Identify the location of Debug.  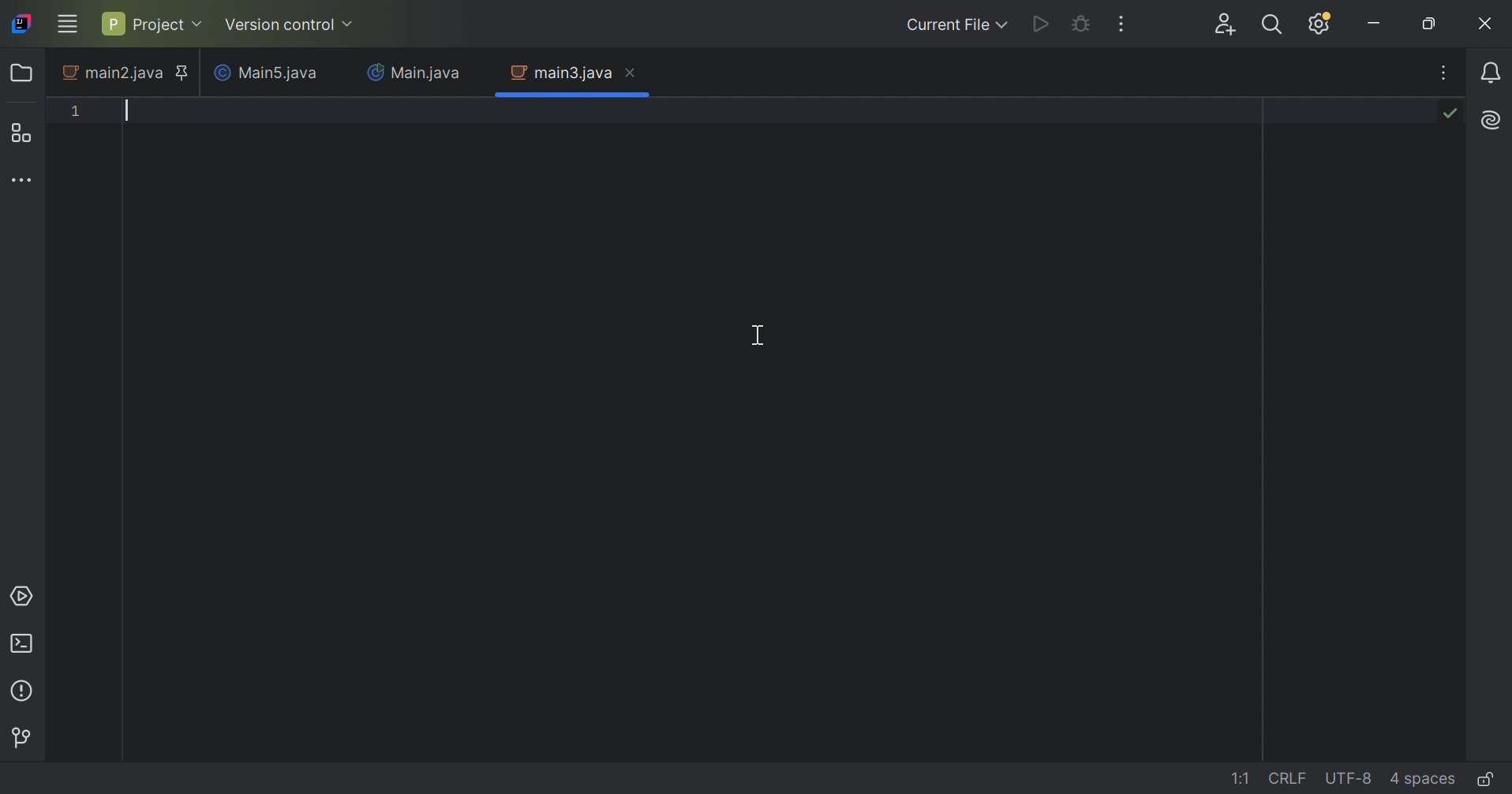
(1080, 24).